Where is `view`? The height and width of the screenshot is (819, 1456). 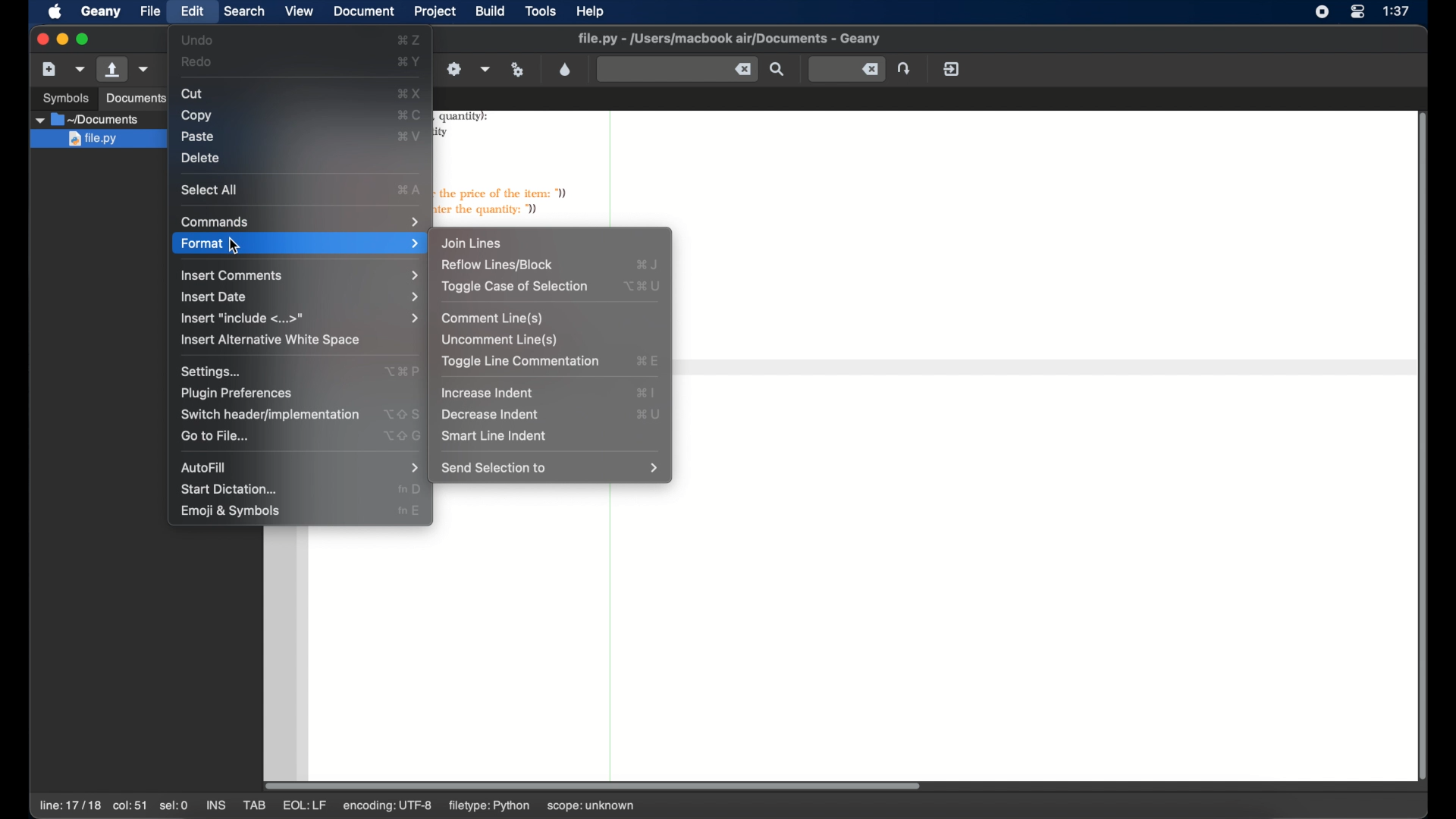
view is located at coordinates (300, 10).